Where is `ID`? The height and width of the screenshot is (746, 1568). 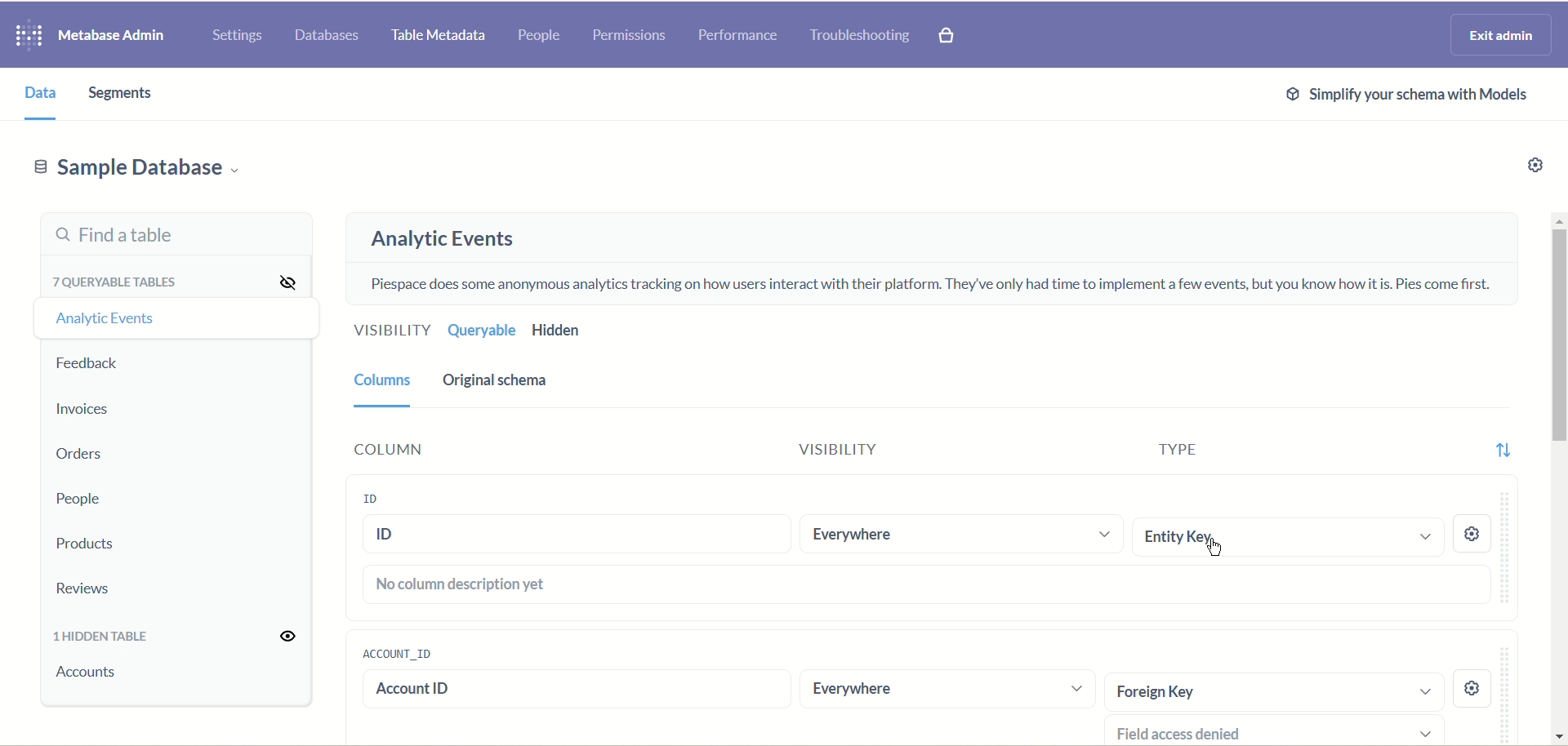 ID is located at coordinates (367, 501).